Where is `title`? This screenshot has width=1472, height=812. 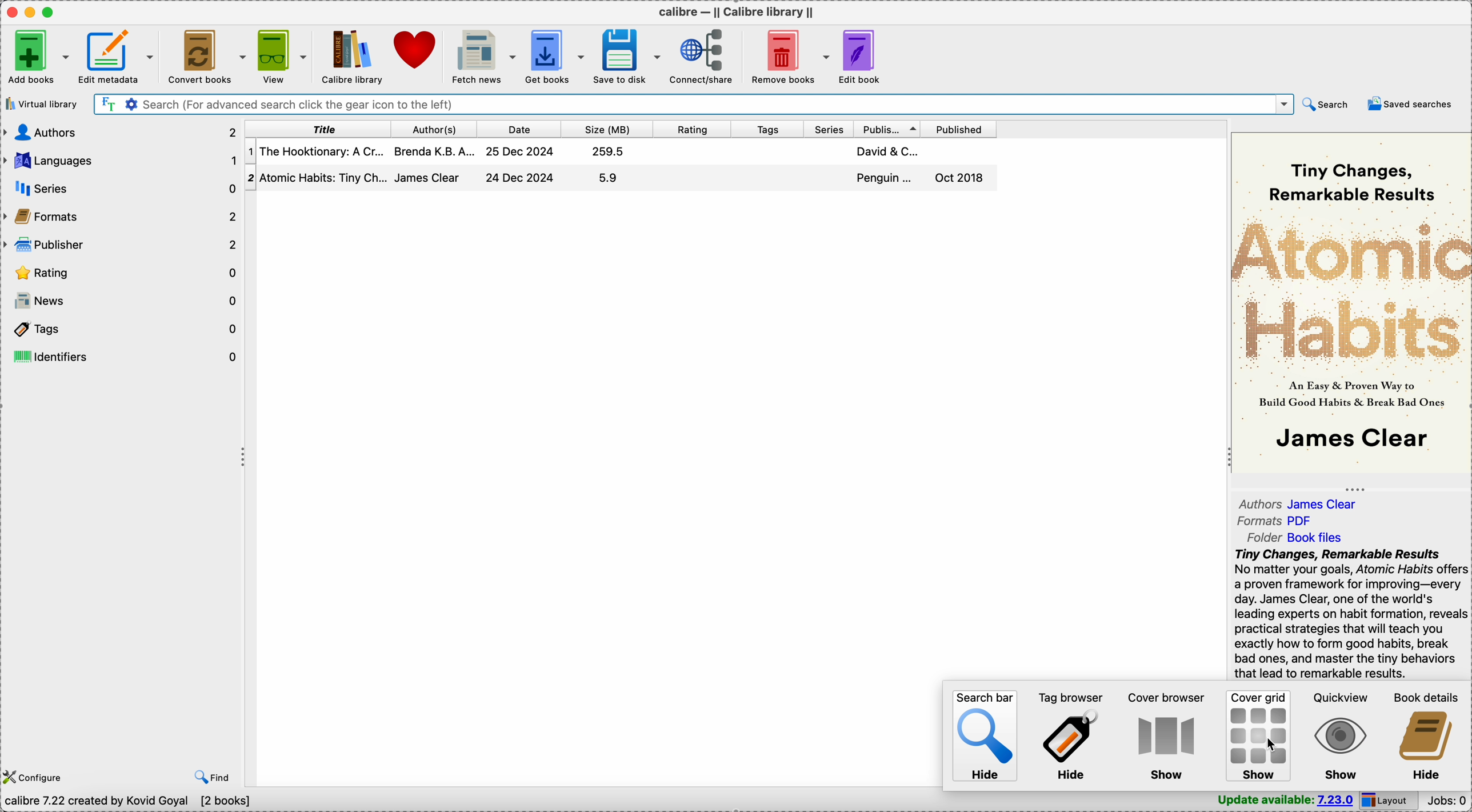
title is located at coordinates (318, 129).